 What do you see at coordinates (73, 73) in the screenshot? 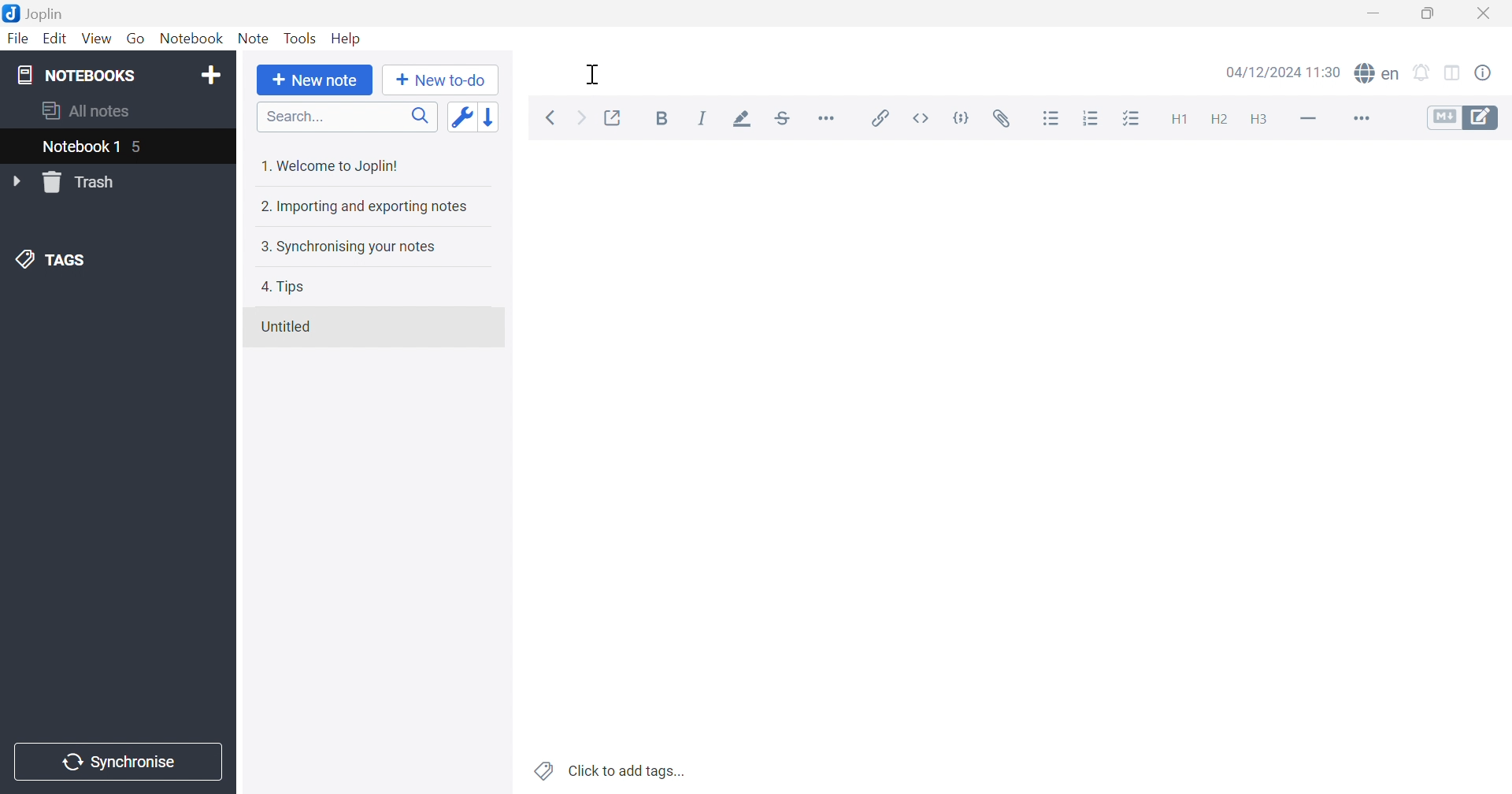
I see `NOTEBOOKS` at bounding box center [73, 73].